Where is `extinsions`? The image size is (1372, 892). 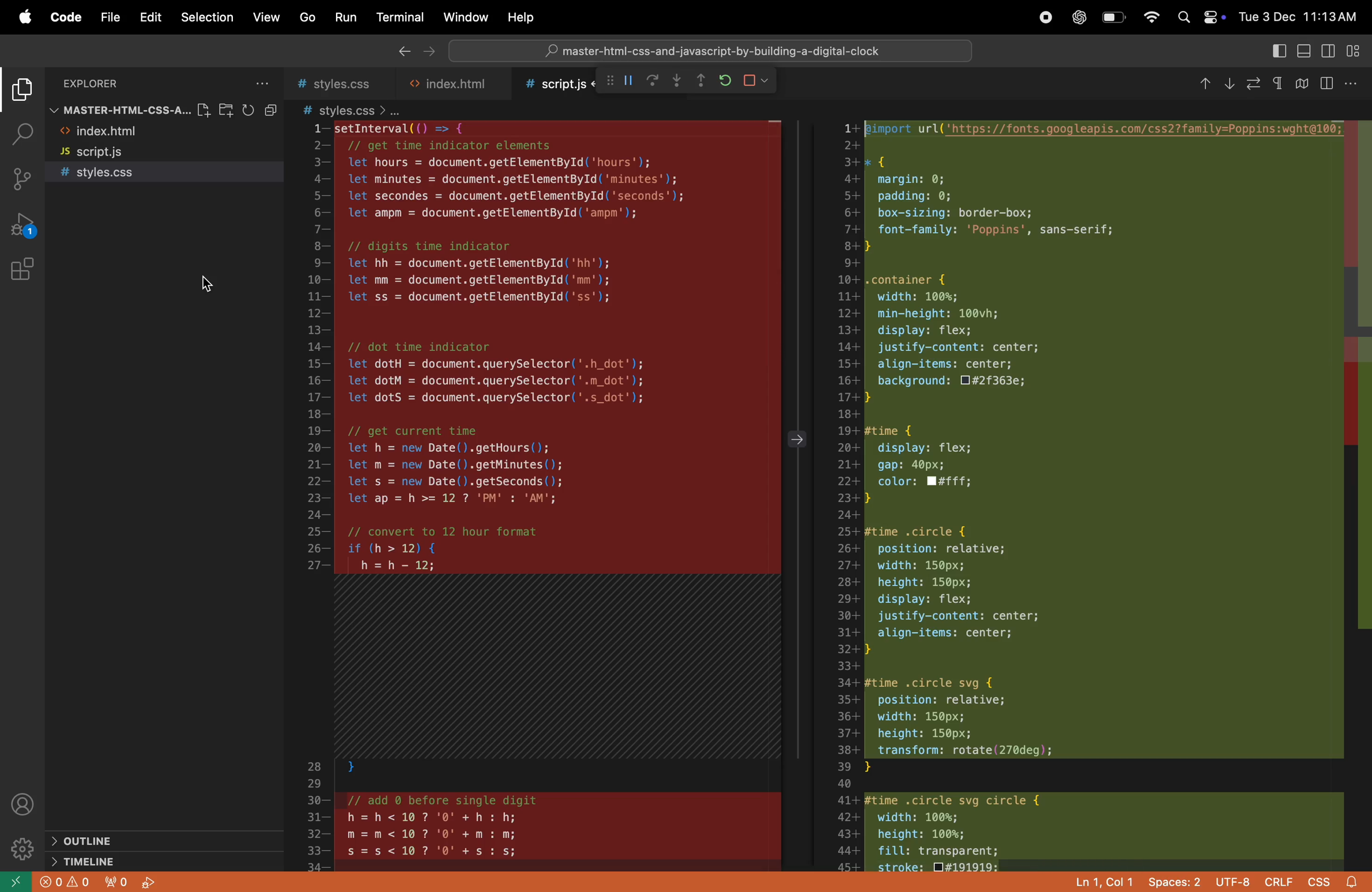
extinsions is located at coordinates (26, 277).